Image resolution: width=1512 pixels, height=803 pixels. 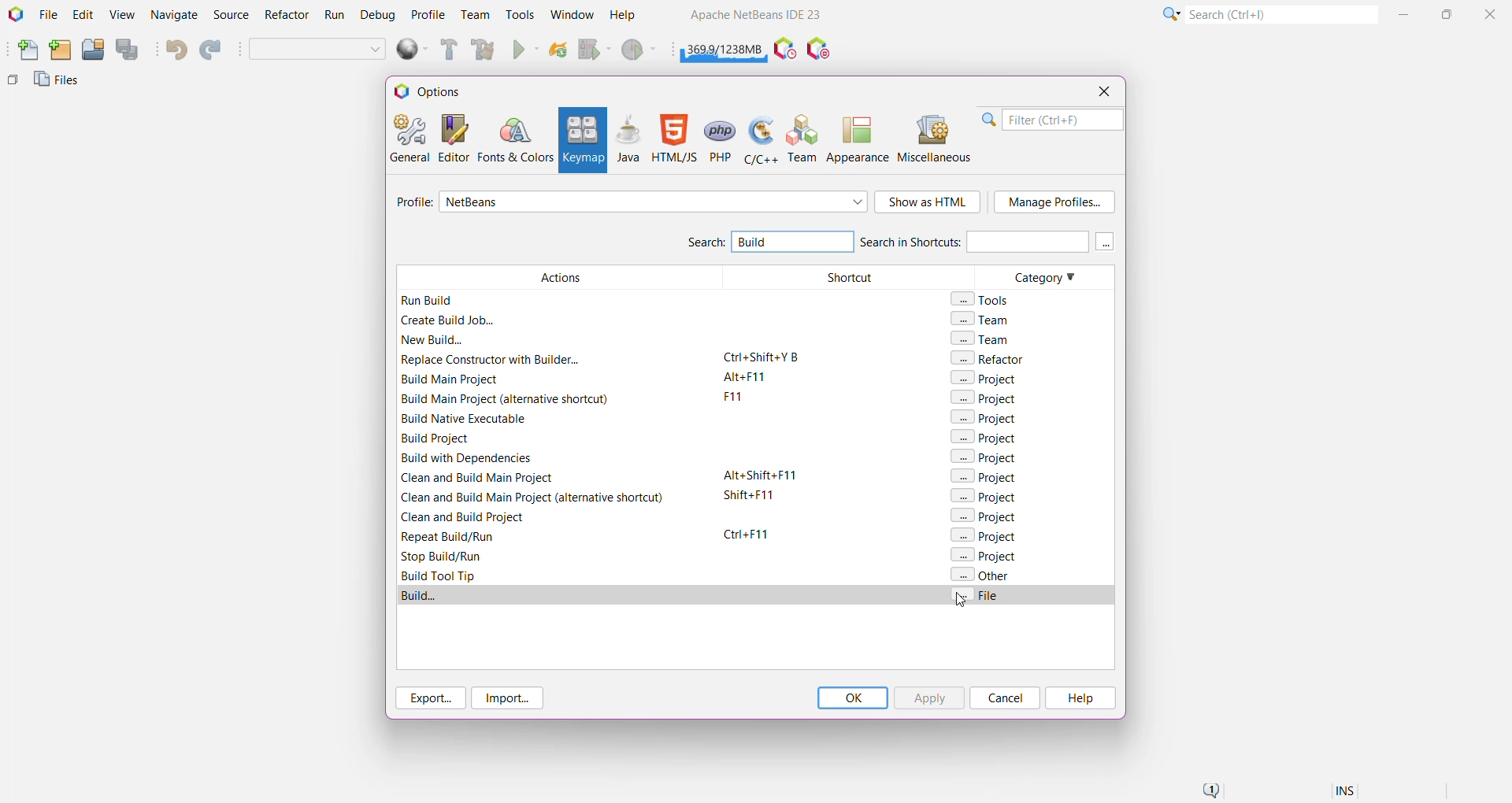 What do you see at coordinates (1103, 91) in the screenshot?
I see `Close` at bounding box center [1103, 91].